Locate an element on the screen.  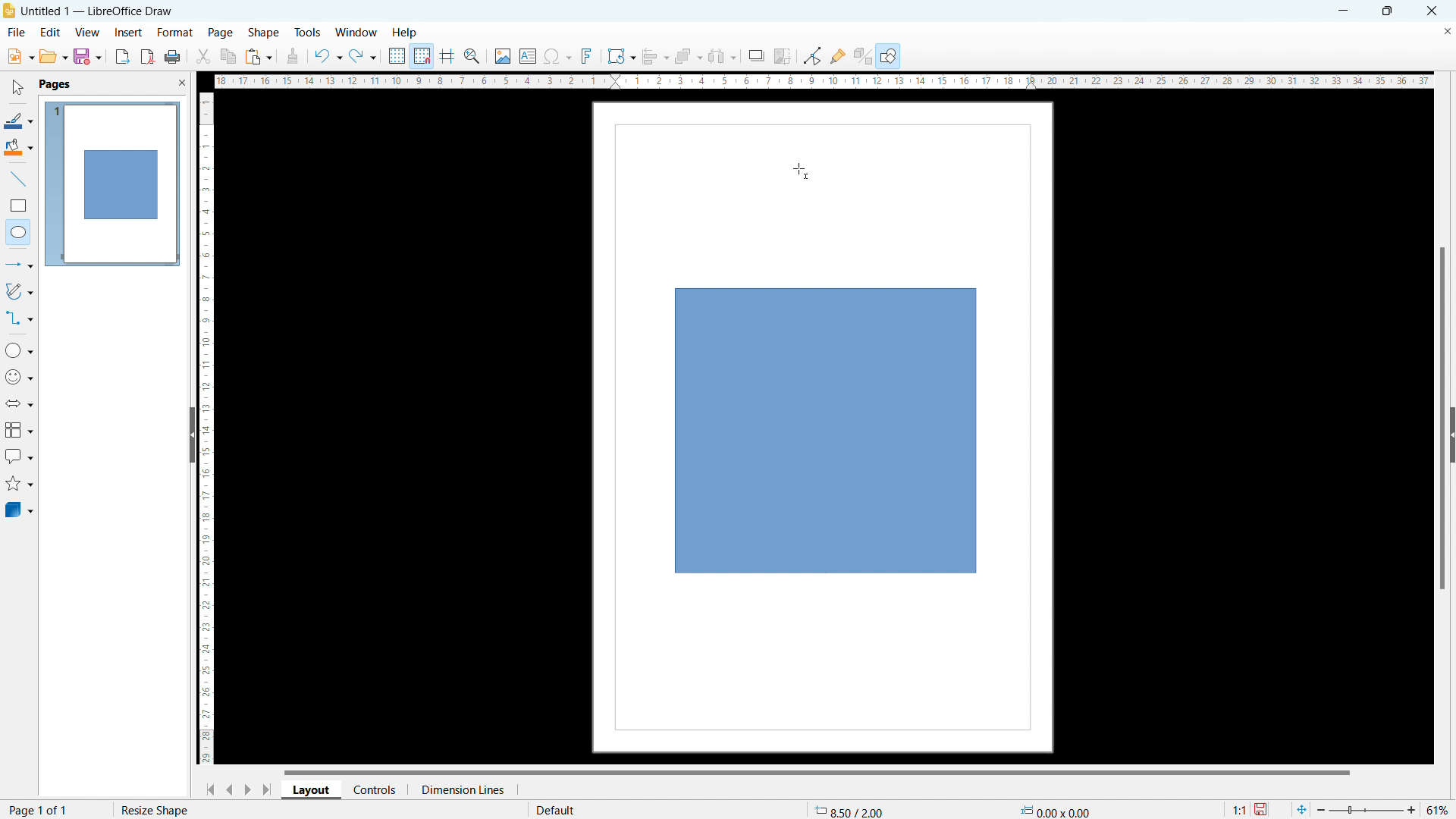
object 1 is located at coordinates (826, 431).